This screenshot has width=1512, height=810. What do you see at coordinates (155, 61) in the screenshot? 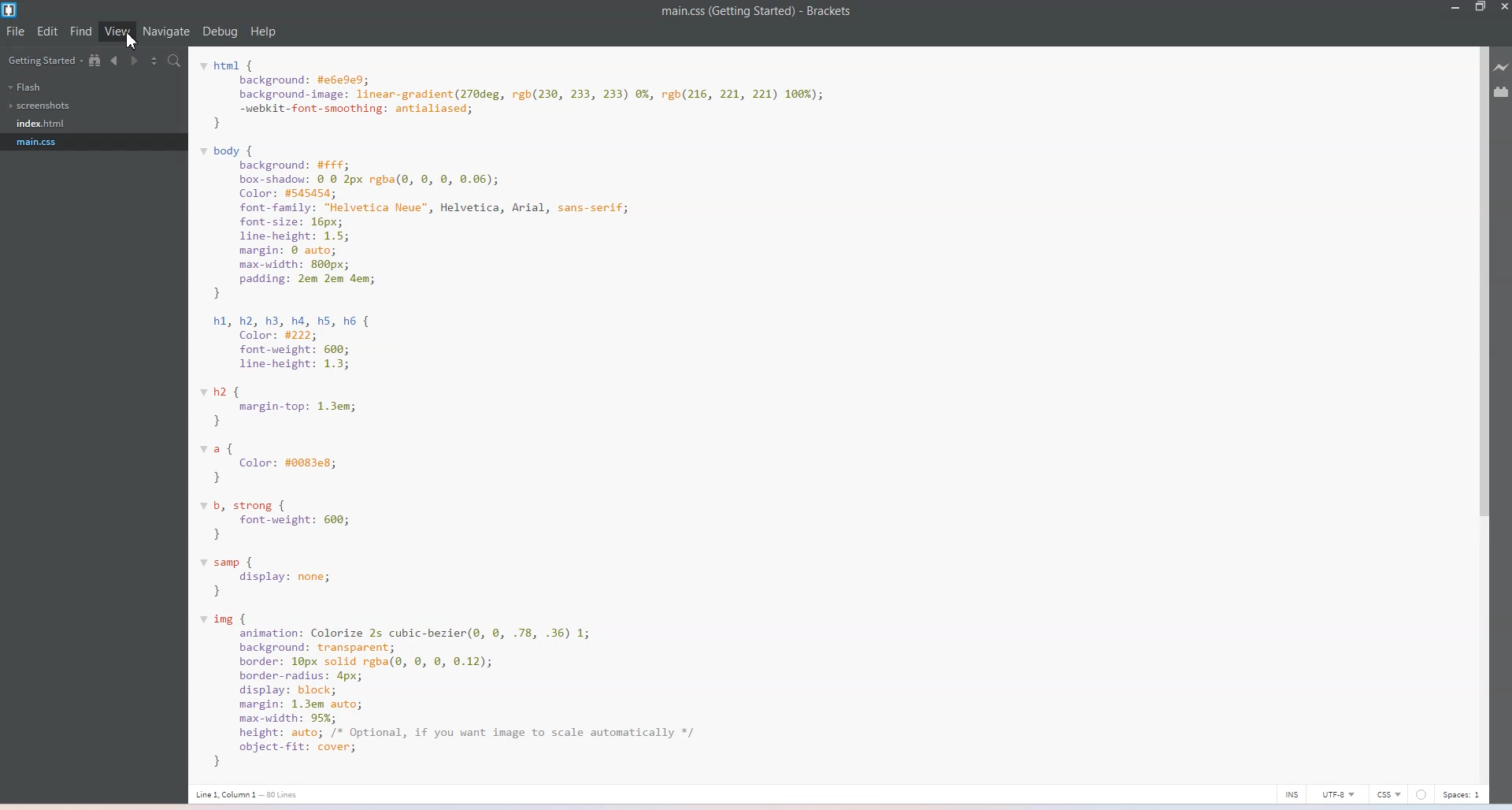
I see `Split editor vertically and Horizontally` at bounding box center [155, 61].